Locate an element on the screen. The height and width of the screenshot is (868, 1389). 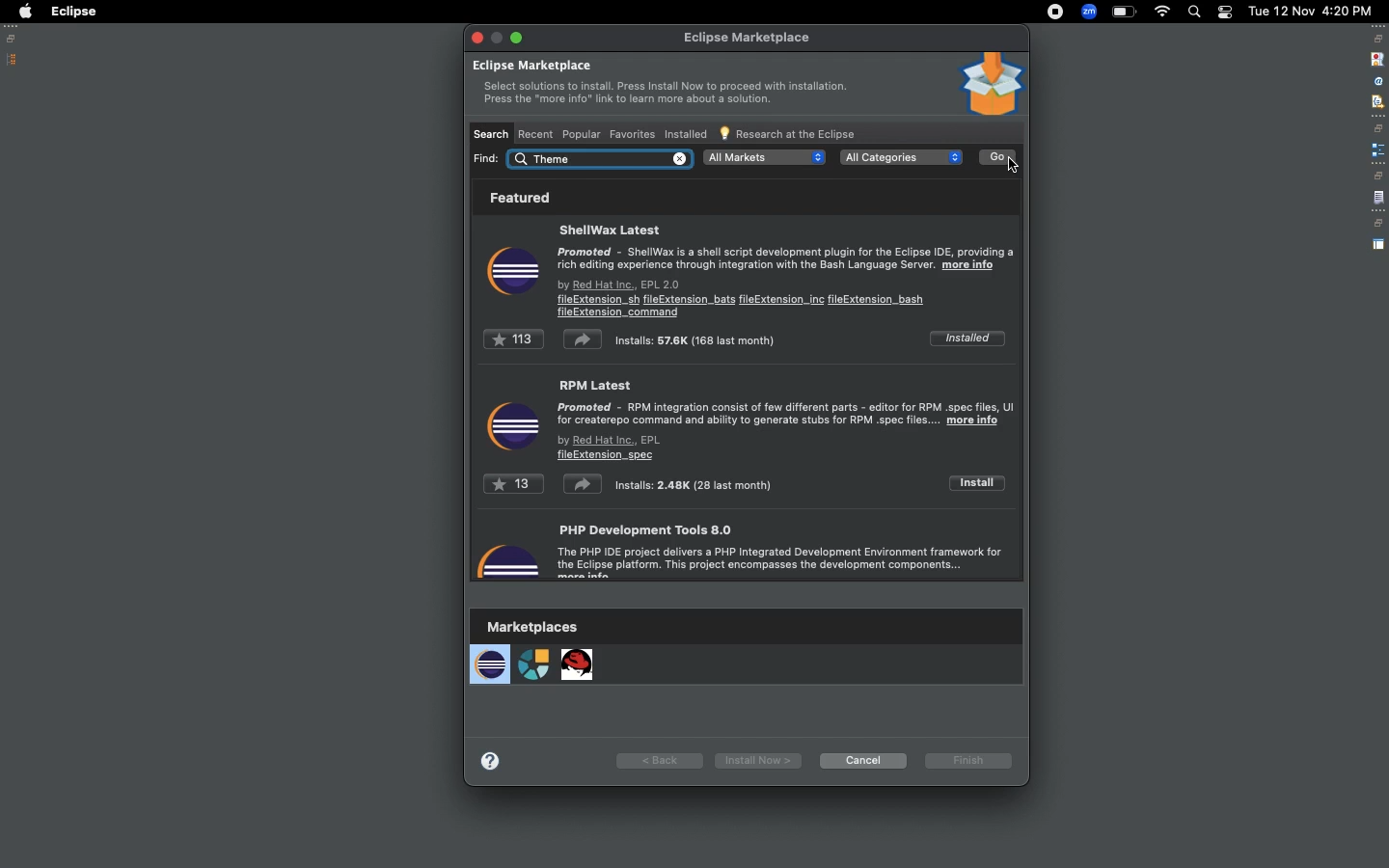
ShellWax latest is located at coordinates (785, 269).